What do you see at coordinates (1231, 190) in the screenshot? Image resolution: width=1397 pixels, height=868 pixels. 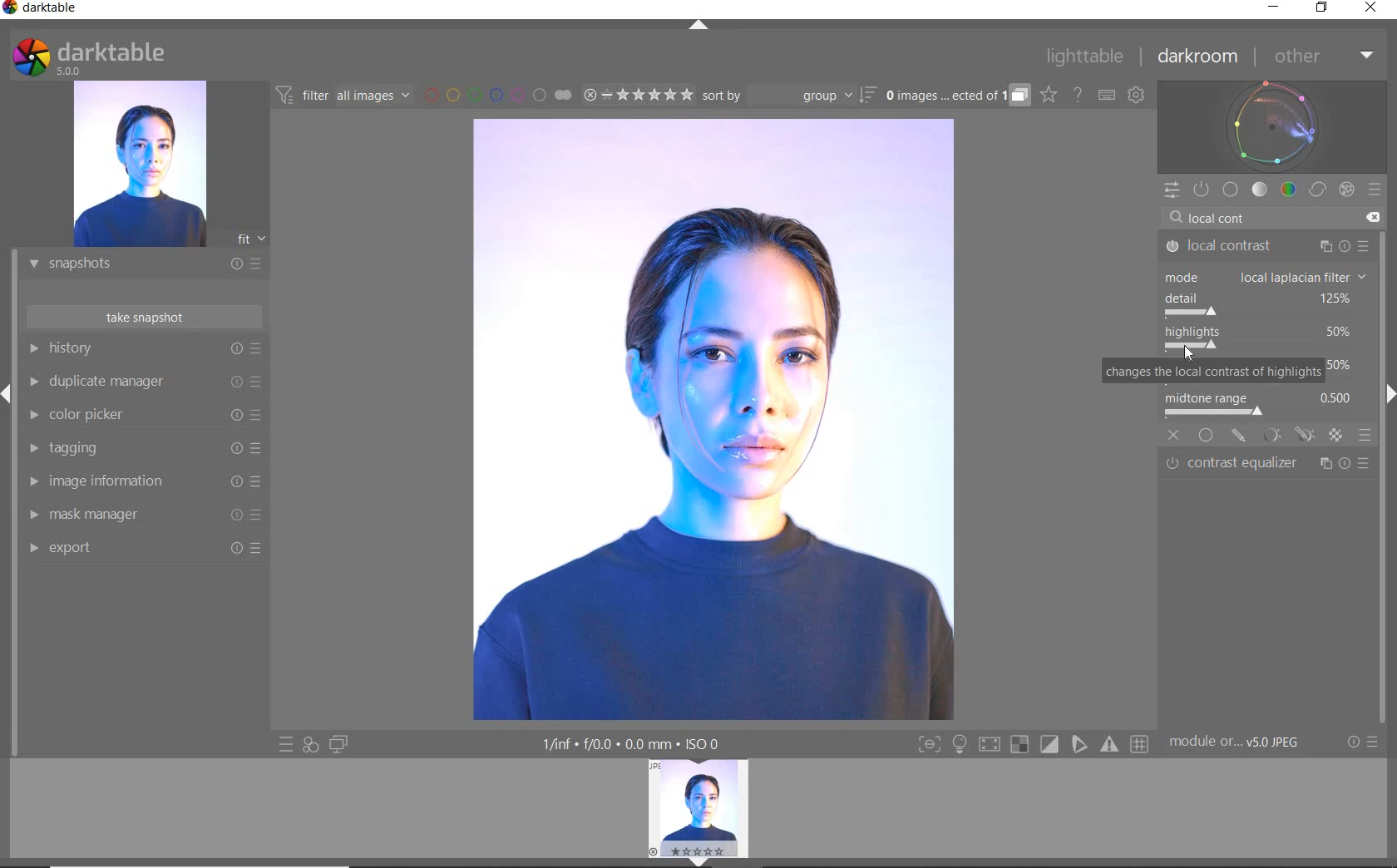 I see `BASE` at bounding box center [1231, 190].